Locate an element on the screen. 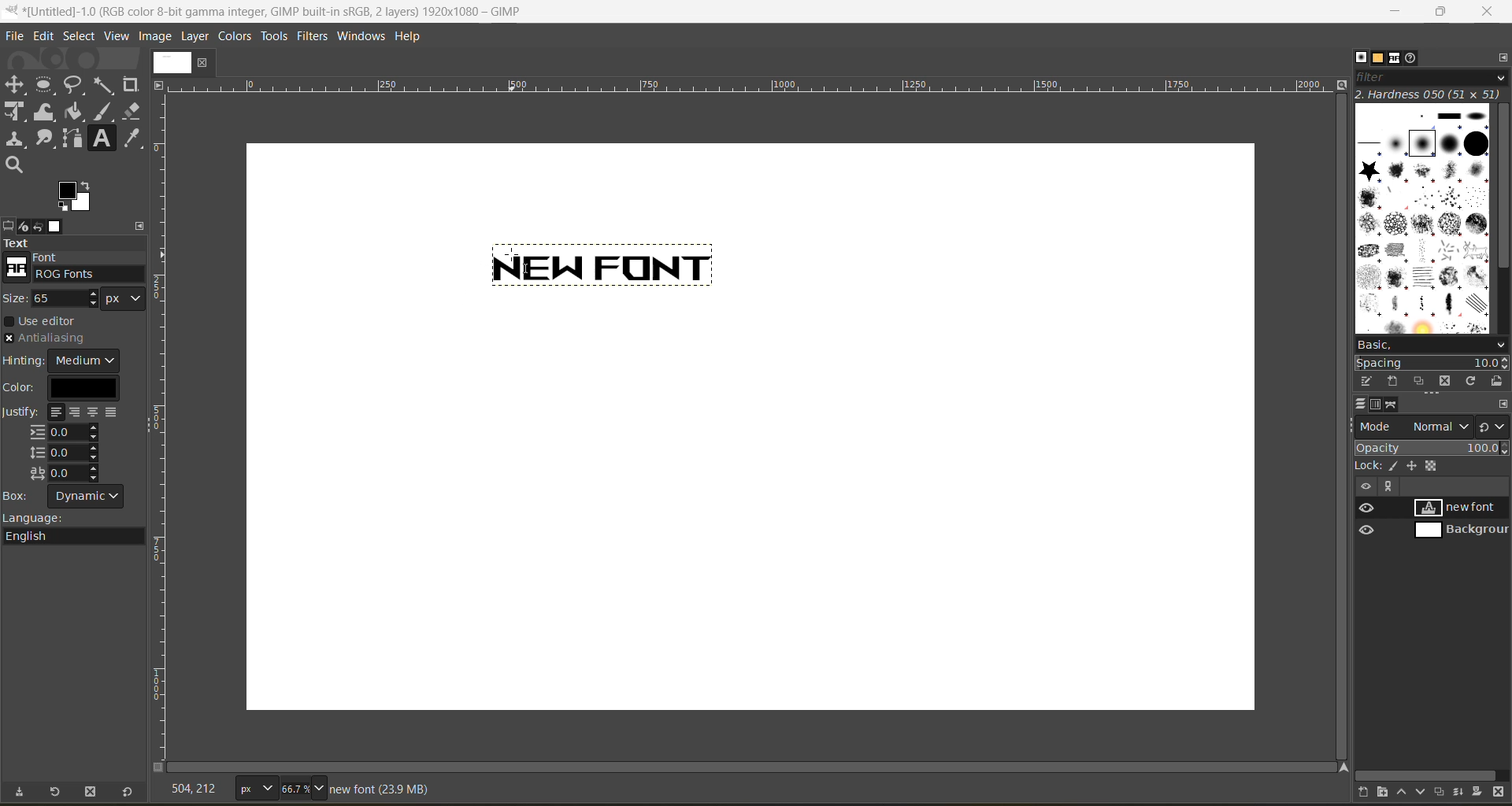 This screenshot has width=1512, height=806. preview is located at coordinates (1369, 520).